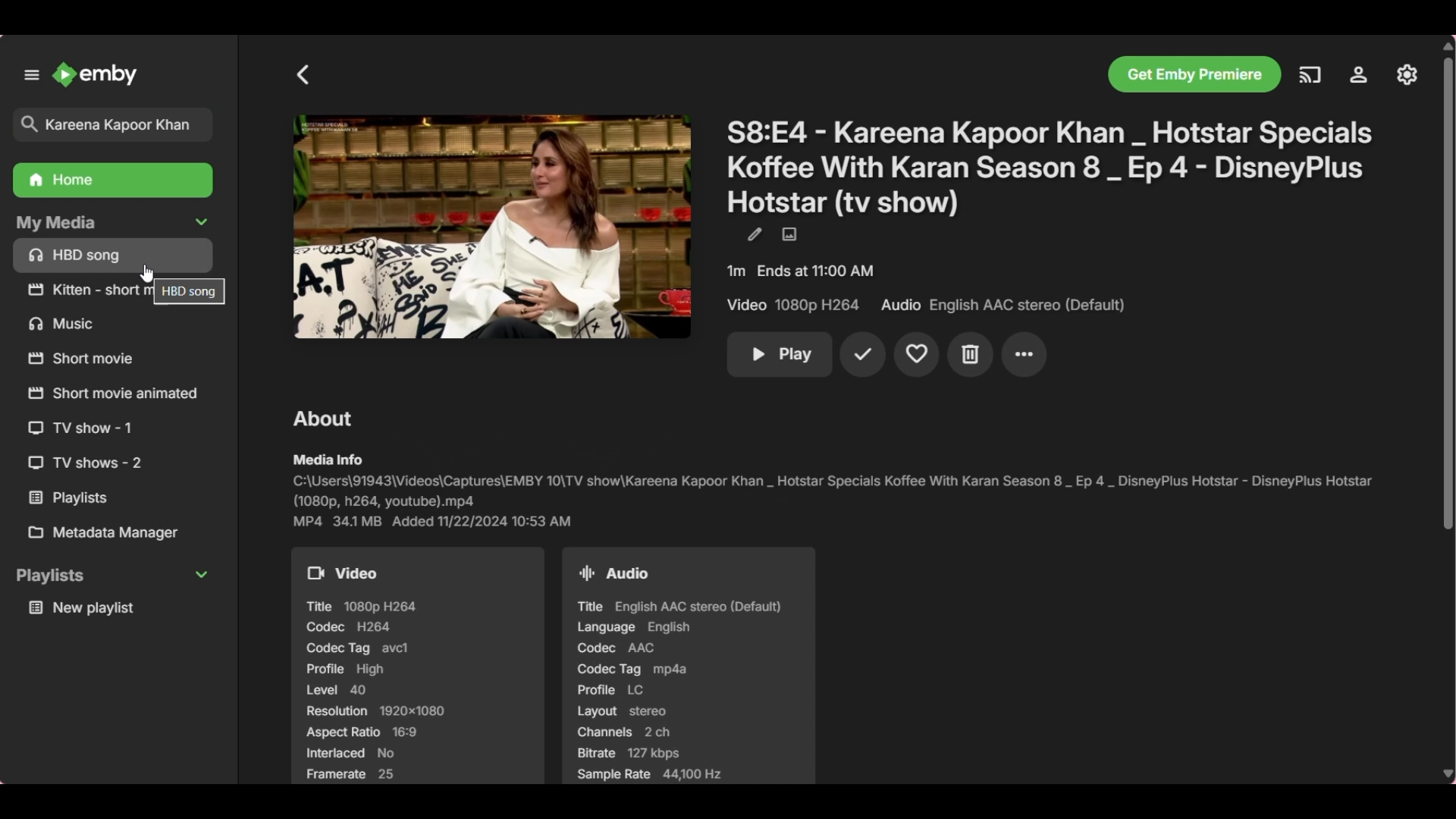  Describe the element at coordinates (105, 428) in the screenshot. I see `` at that location.